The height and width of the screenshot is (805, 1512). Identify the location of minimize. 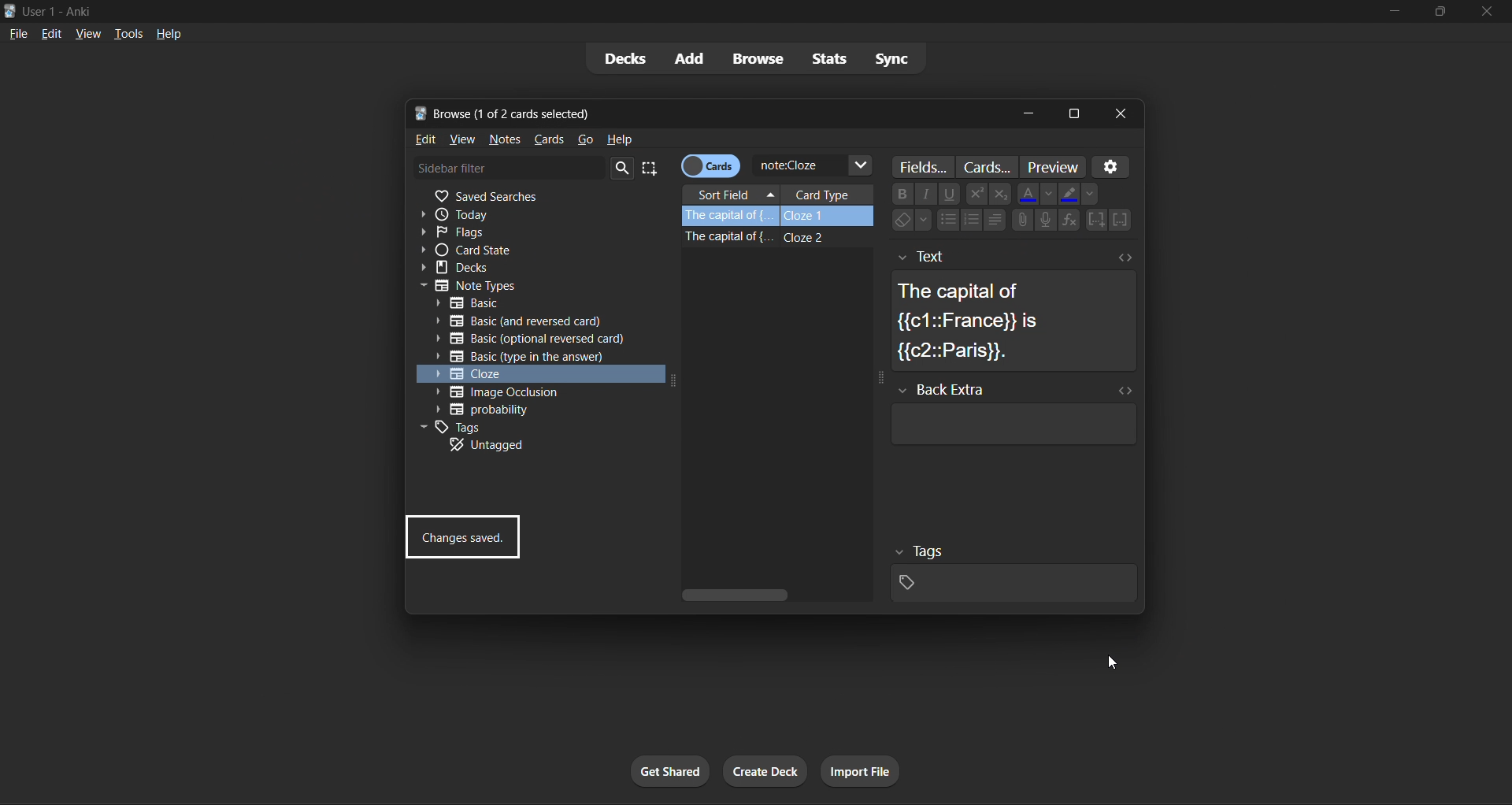
(1027, 113).